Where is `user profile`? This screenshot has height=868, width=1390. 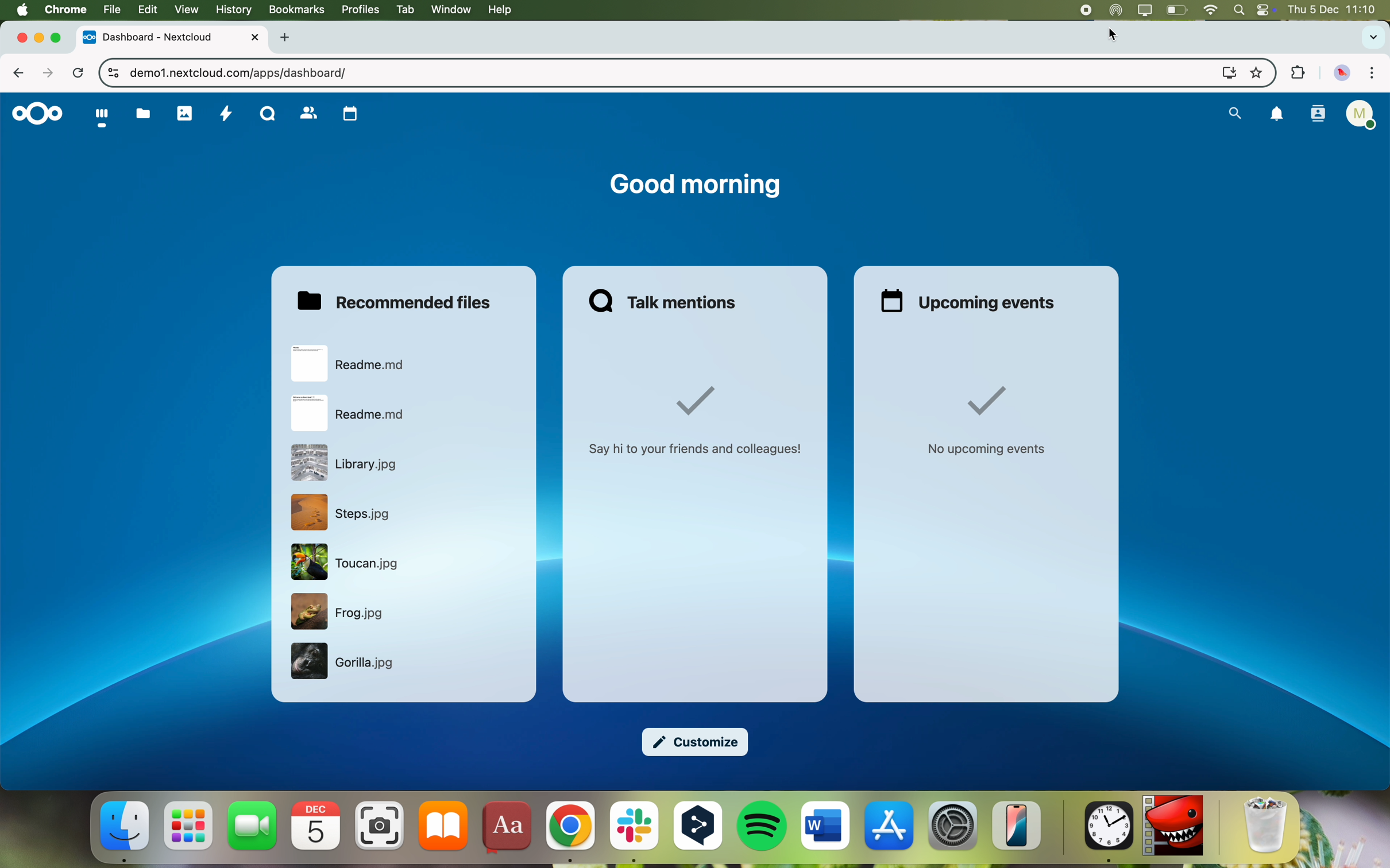
user profile is located at coordinates (1363, 117).